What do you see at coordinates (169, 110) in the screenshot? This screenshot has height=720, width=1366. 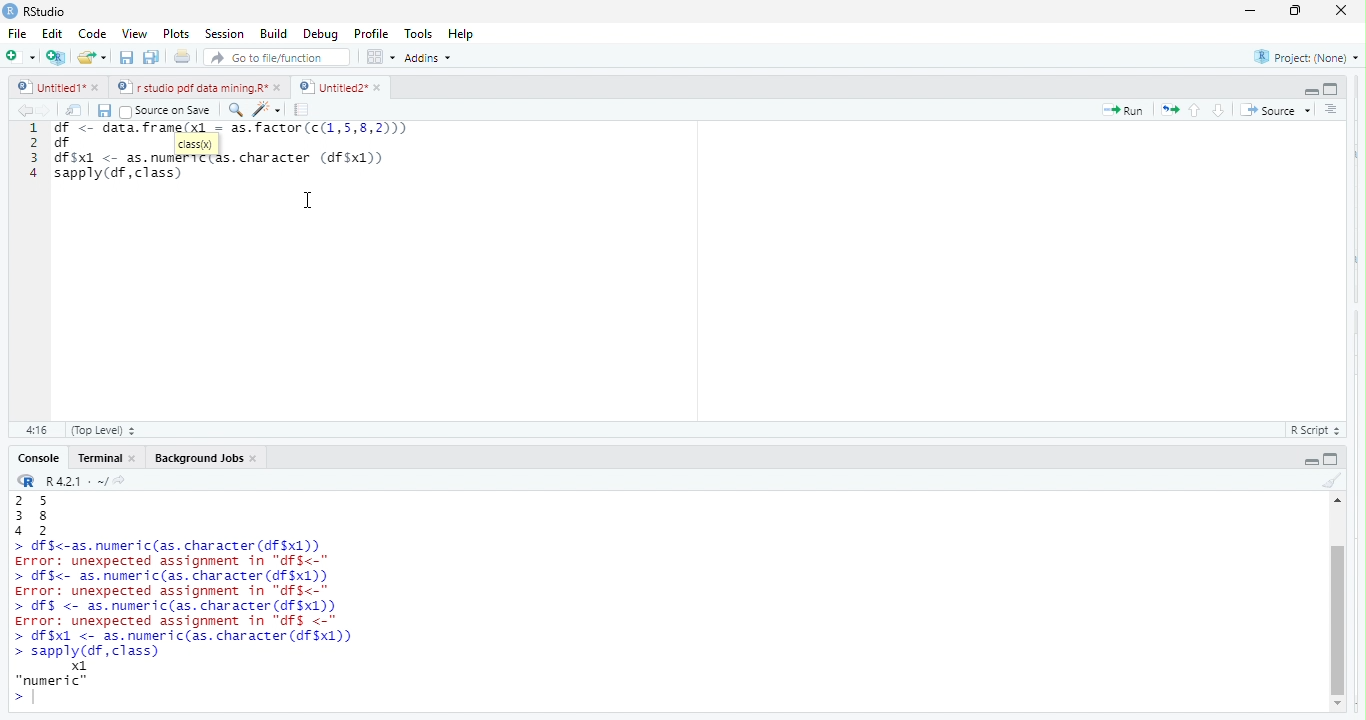 I see ` Source on Save` at bounding box center [169, 110].